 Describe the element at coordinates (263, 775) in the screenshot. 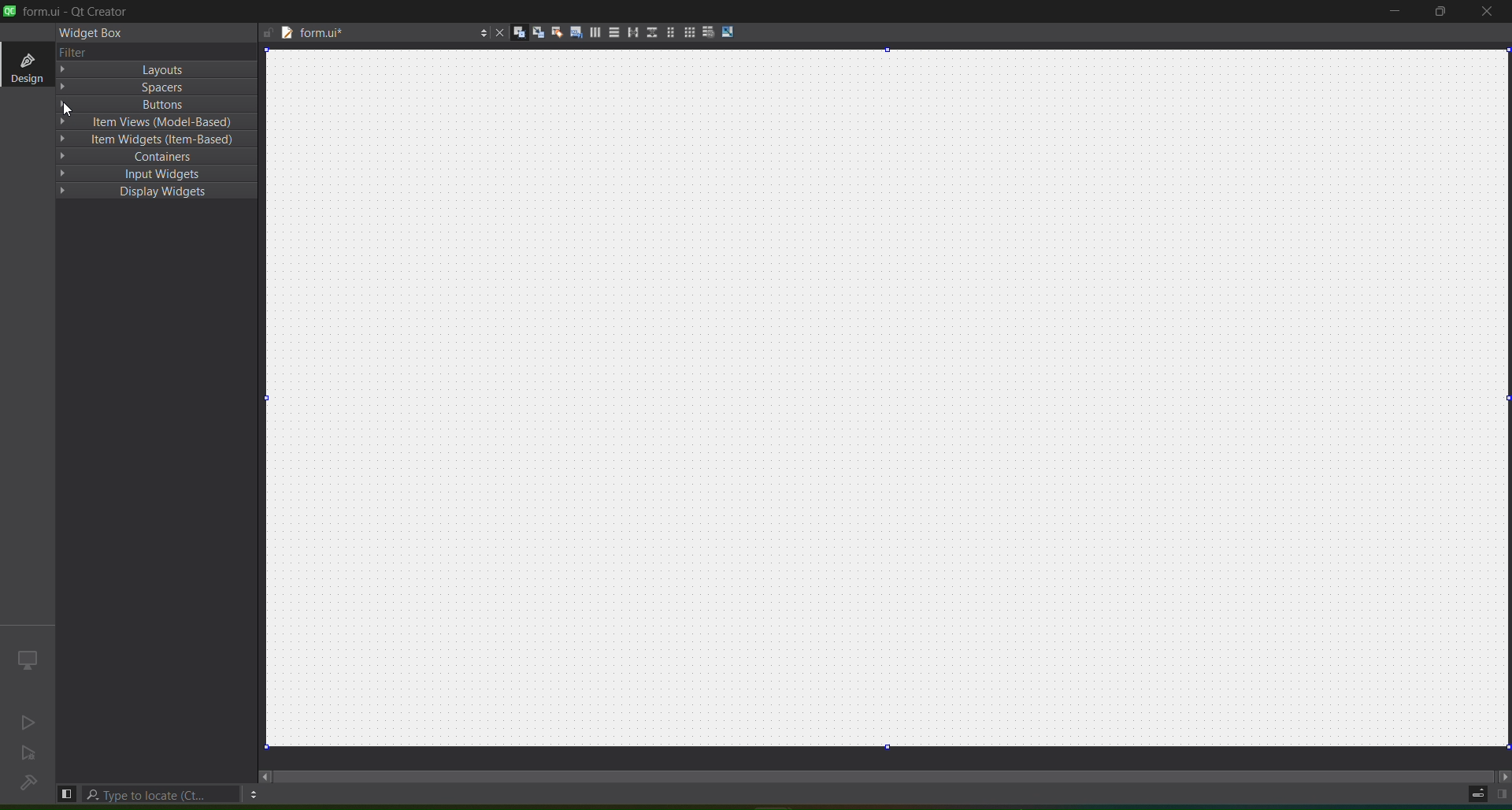

I see `move left` at that location.